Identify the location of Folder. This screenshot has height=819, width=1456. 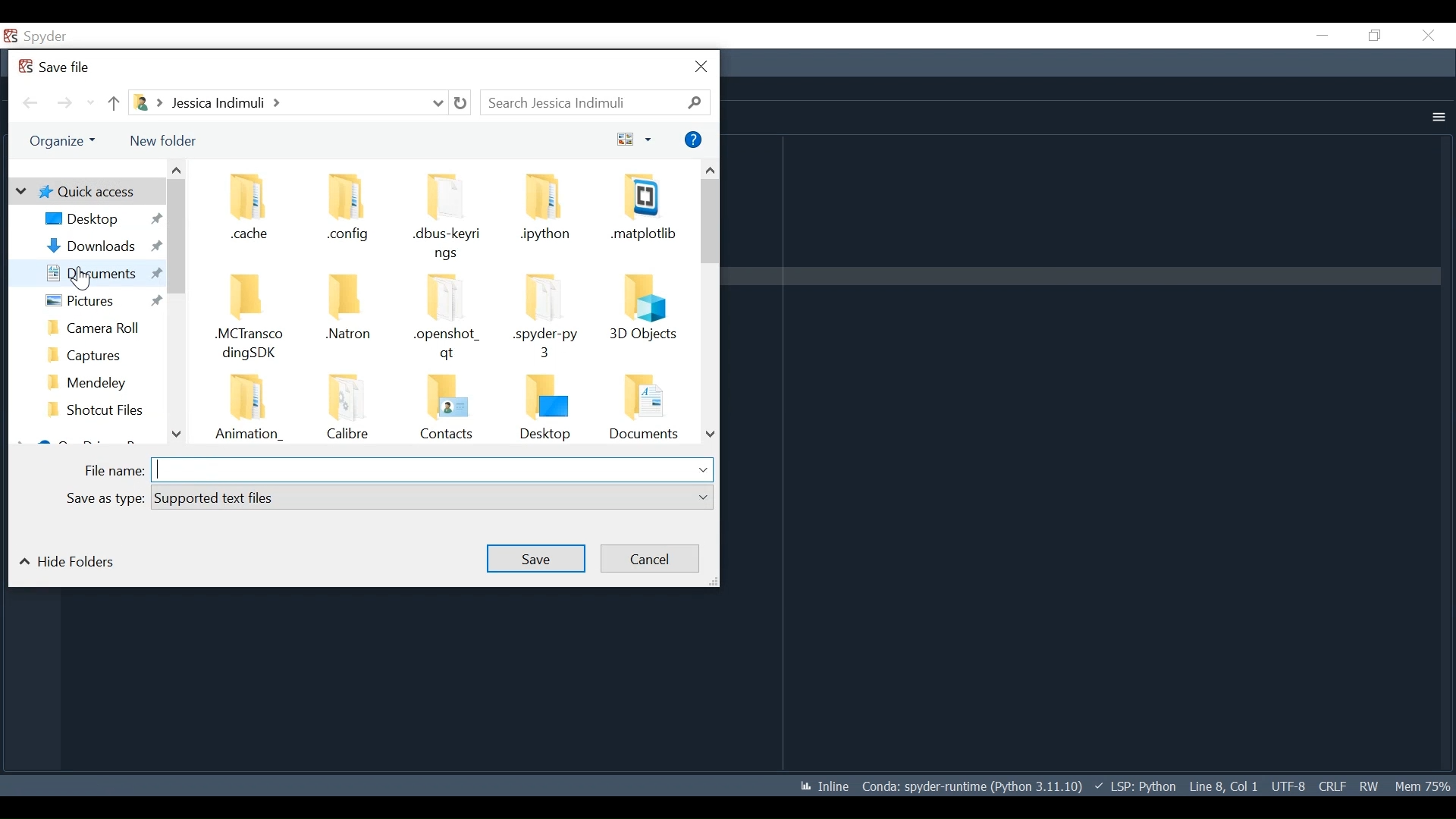
(645, 318).